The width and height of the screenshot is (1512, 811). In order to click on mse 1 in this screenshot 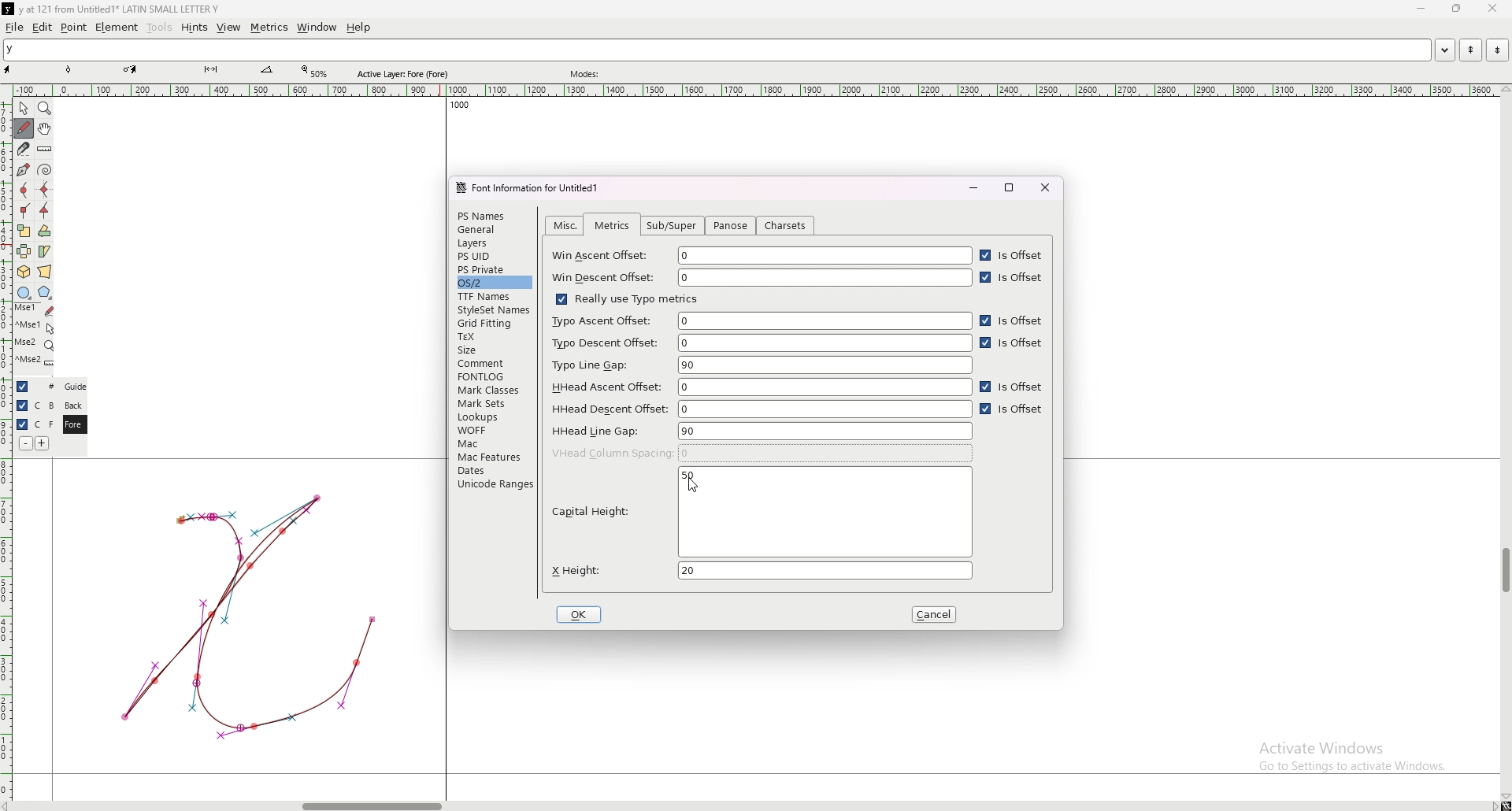, I will do `click(35, 326)`.